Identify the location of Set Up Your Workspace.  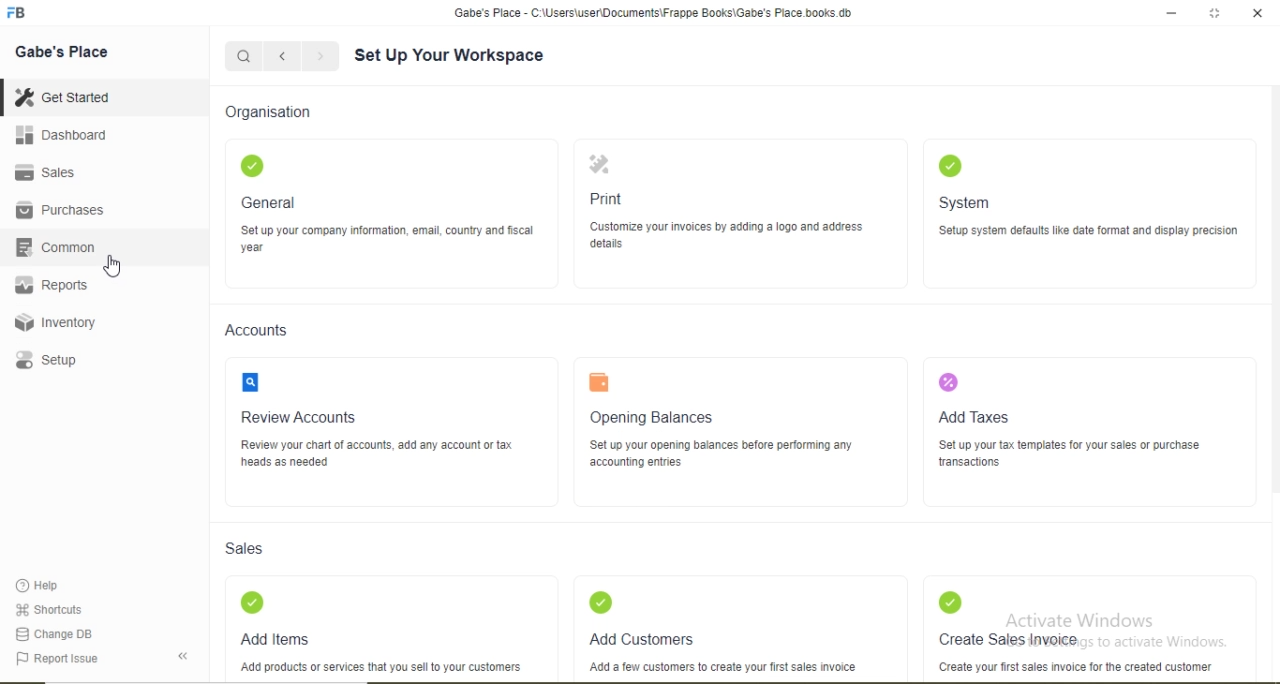
(451, 55).